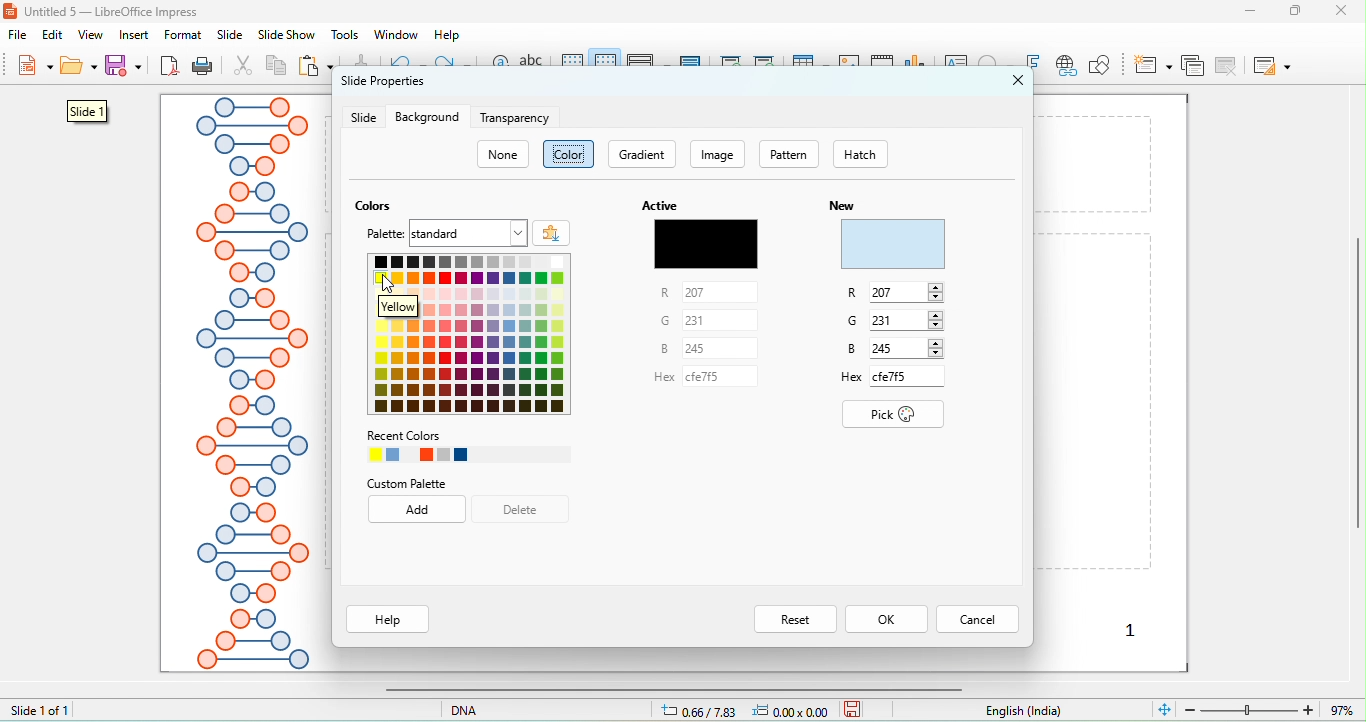  Describe the element at coordinates (891, 378) in the screenshot. I see `Hex` at that location.